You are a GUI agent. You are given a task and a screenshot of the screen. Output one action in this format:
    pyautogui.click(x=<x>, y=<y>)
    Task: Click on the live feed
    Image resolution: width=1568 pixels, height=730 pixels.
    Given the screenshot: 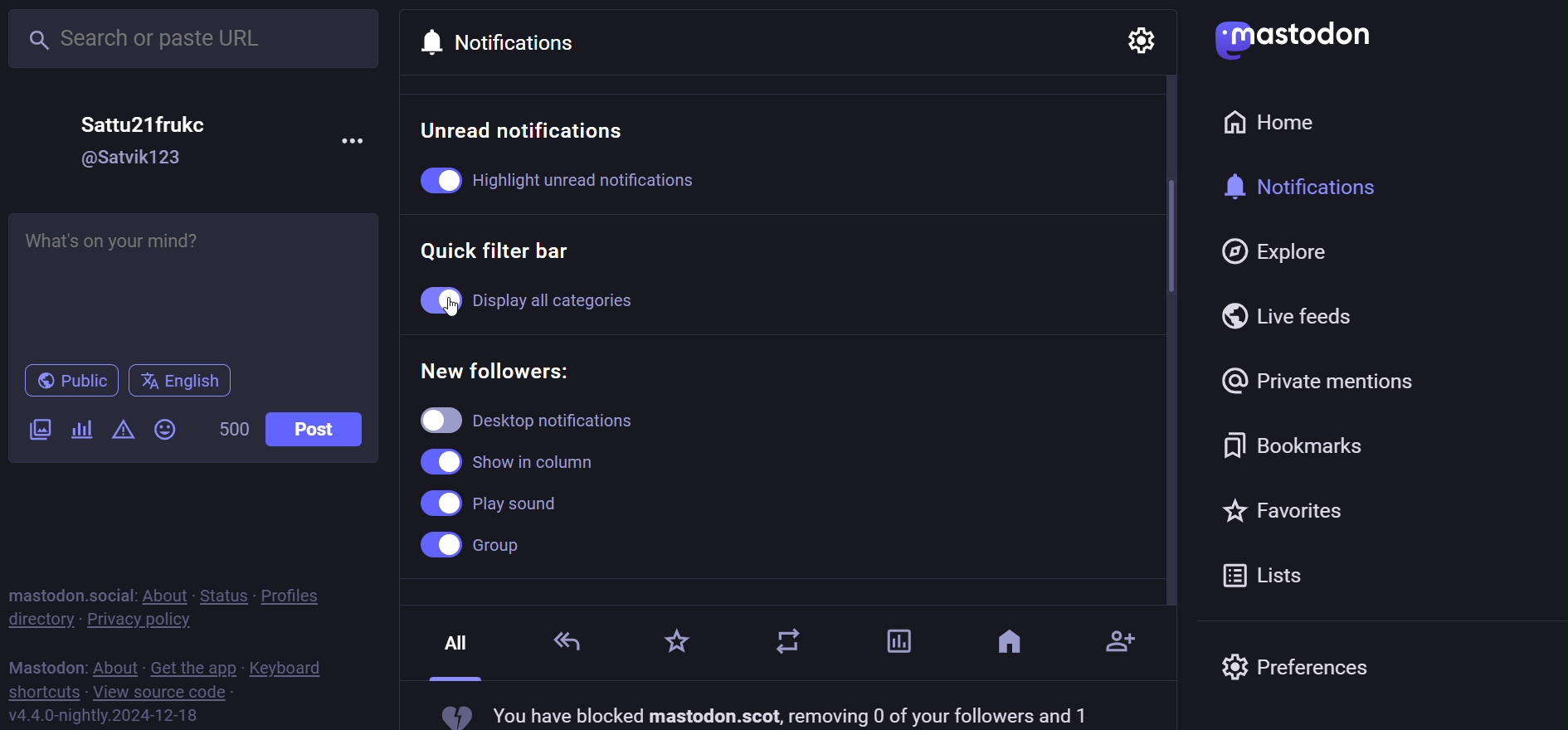 What is the action you would take?
    pyautogui.click(x=1294, y=315)
    